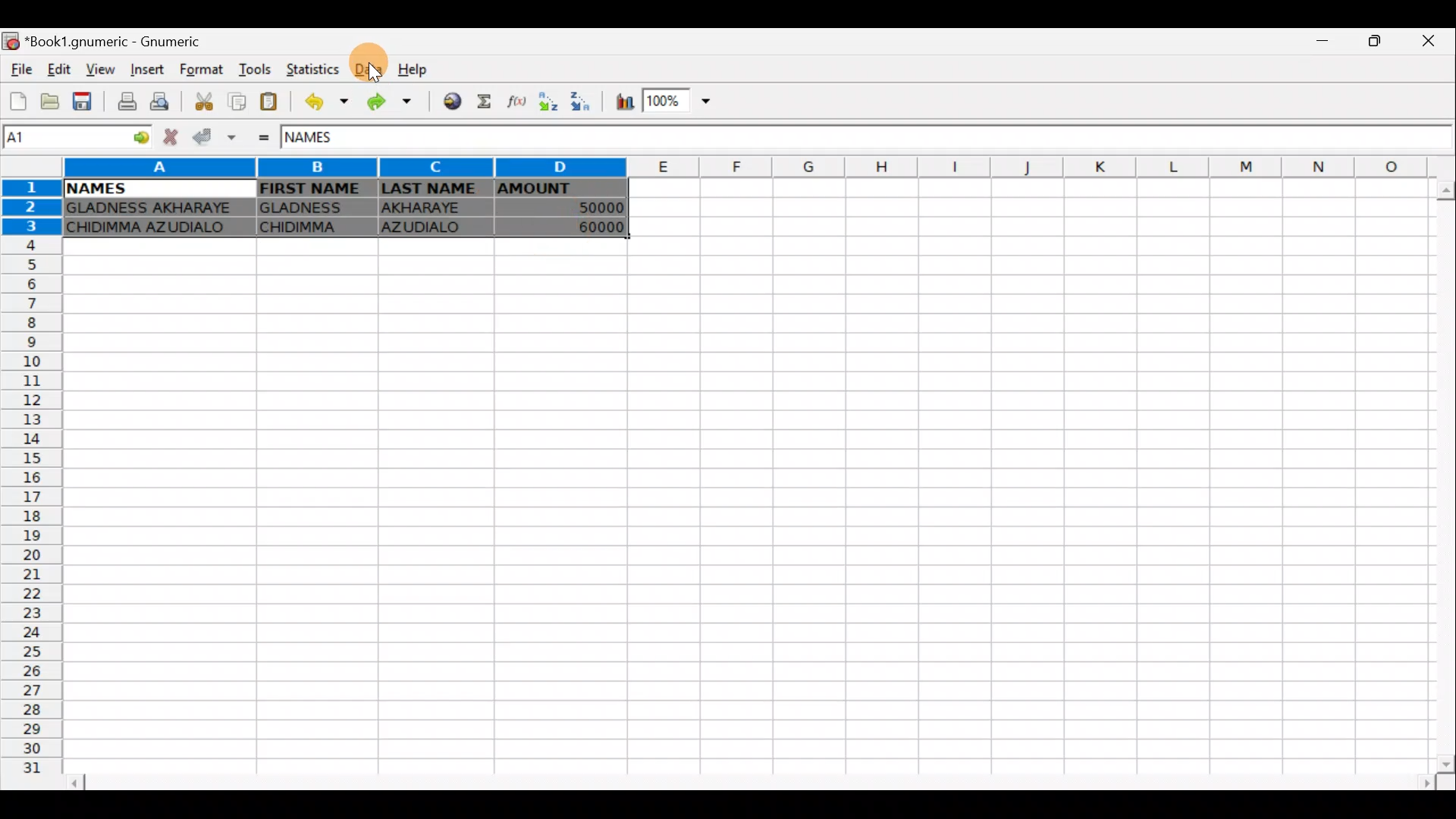 The image size is (1456, 819). Describe the element at coordinates (52, 101) in the screenshot. I see `Open a file` at that location.